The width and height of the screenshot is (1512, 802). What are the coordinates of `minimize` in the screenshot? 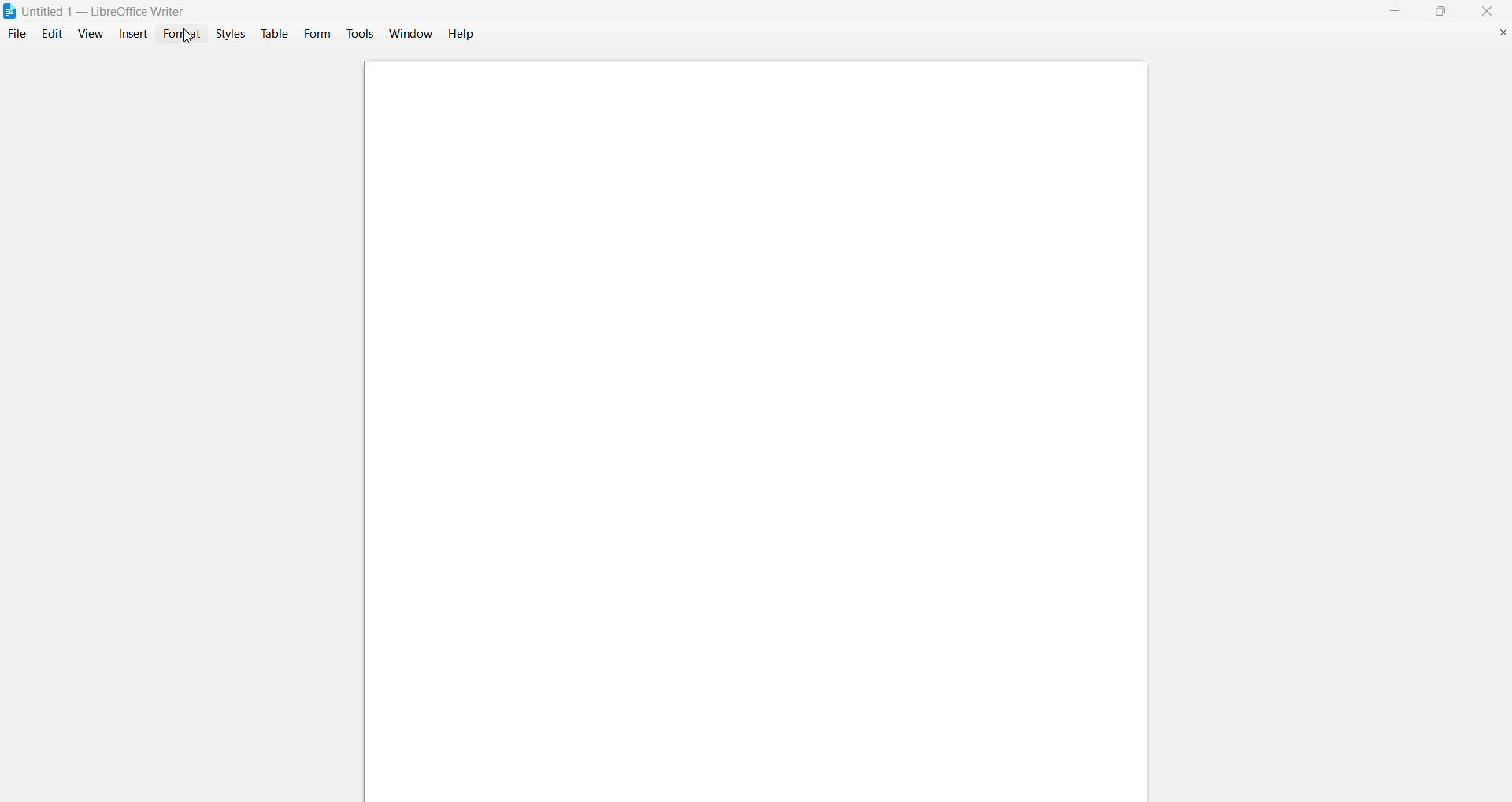 It's located at (1391, 10).